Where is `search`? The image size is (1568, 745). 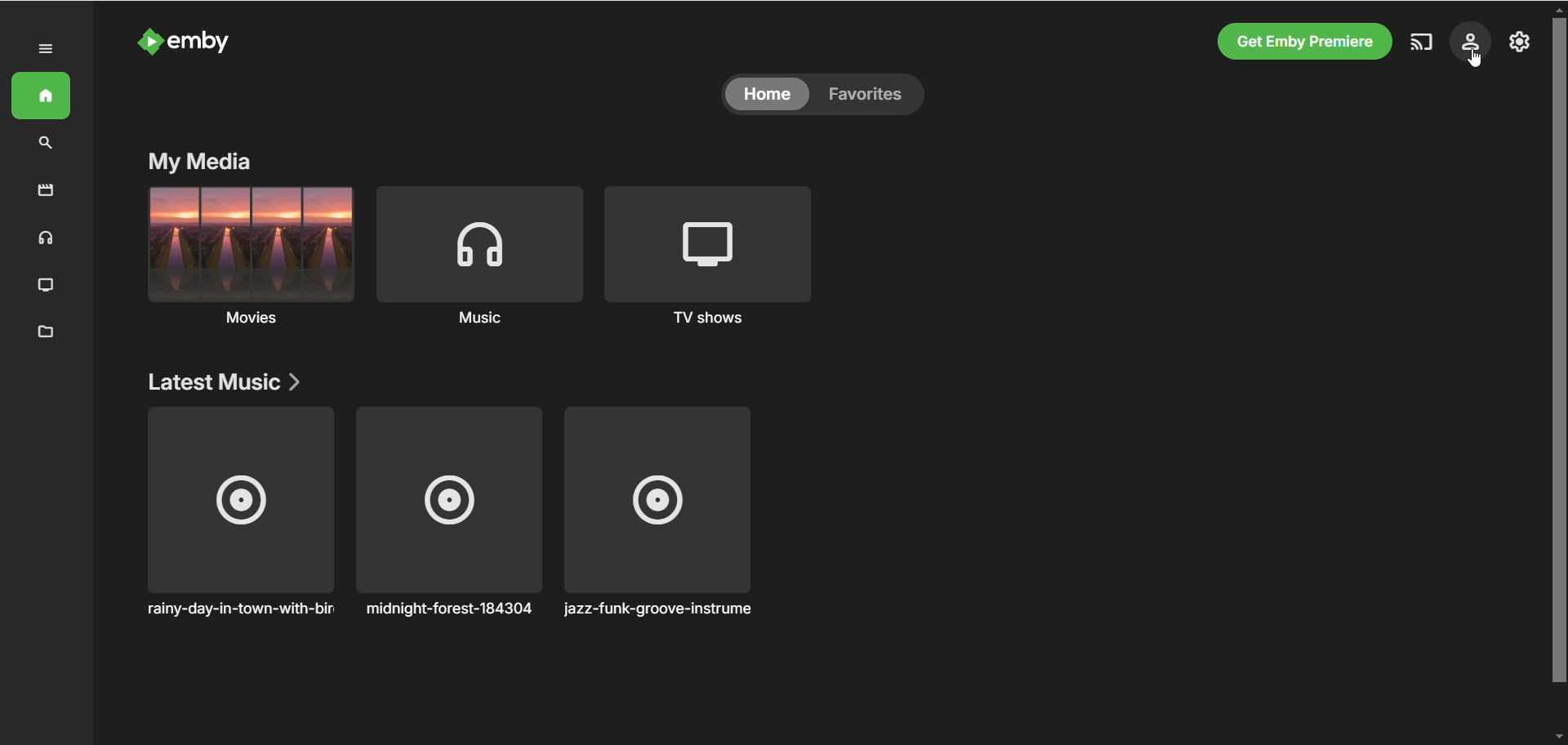 search is located at coordinates (46, 144).